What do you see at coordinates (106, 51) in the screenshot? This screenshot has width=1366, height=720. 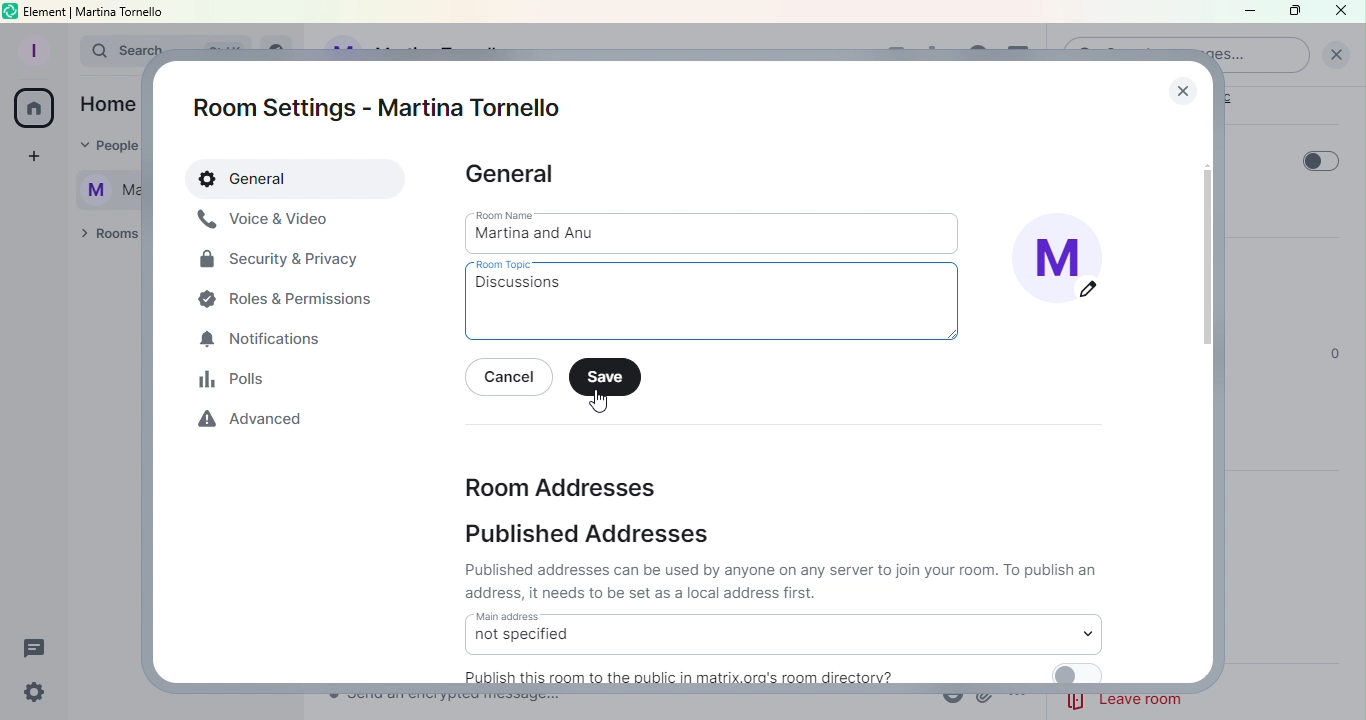 I see `Search bar` at bounding box center [106, 51].